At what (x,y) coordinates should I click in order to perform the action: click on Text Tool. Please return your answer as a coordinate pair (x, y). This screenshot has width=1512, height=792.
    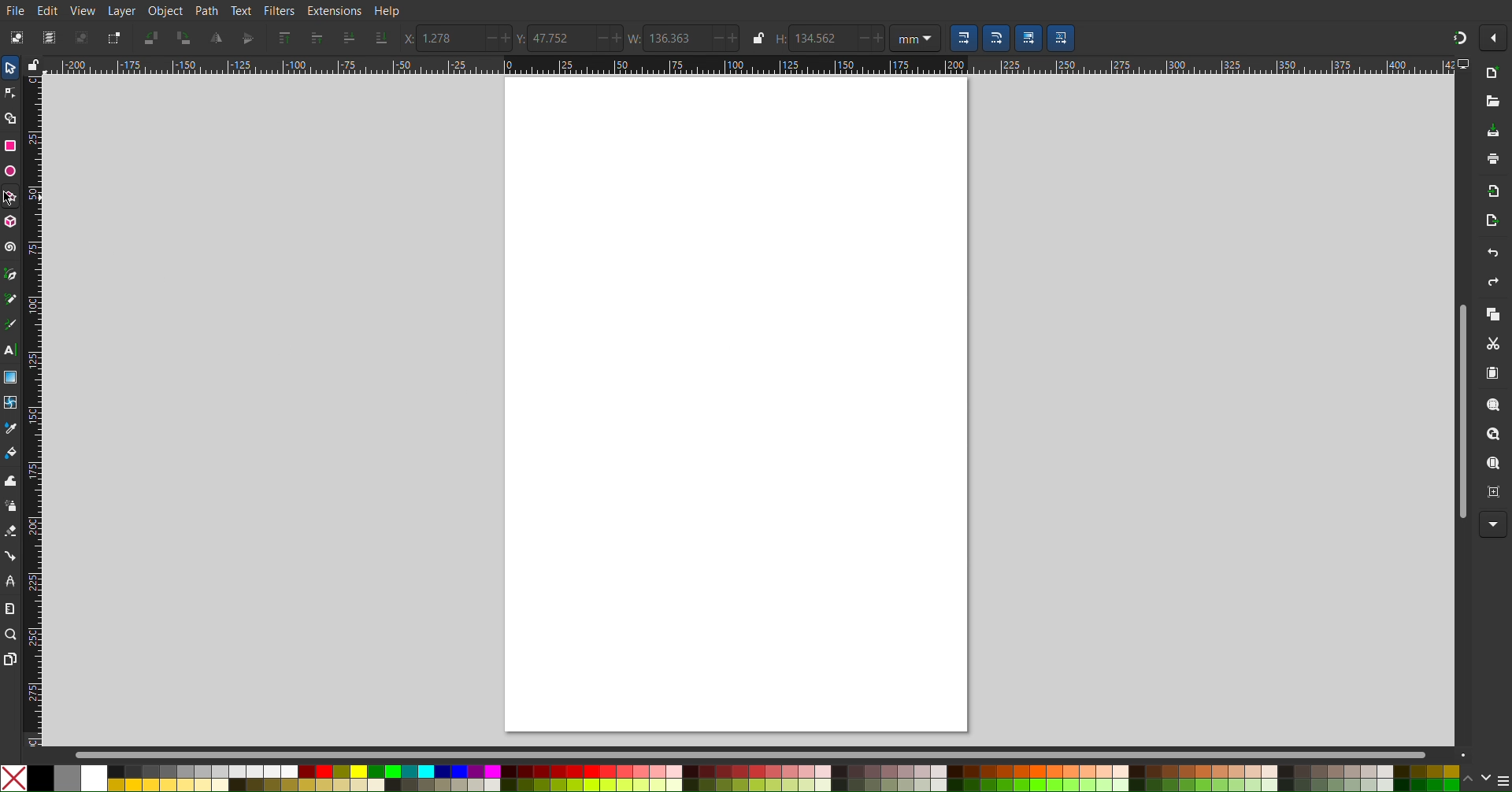
    Looking at the image, I should click on (10, 350).